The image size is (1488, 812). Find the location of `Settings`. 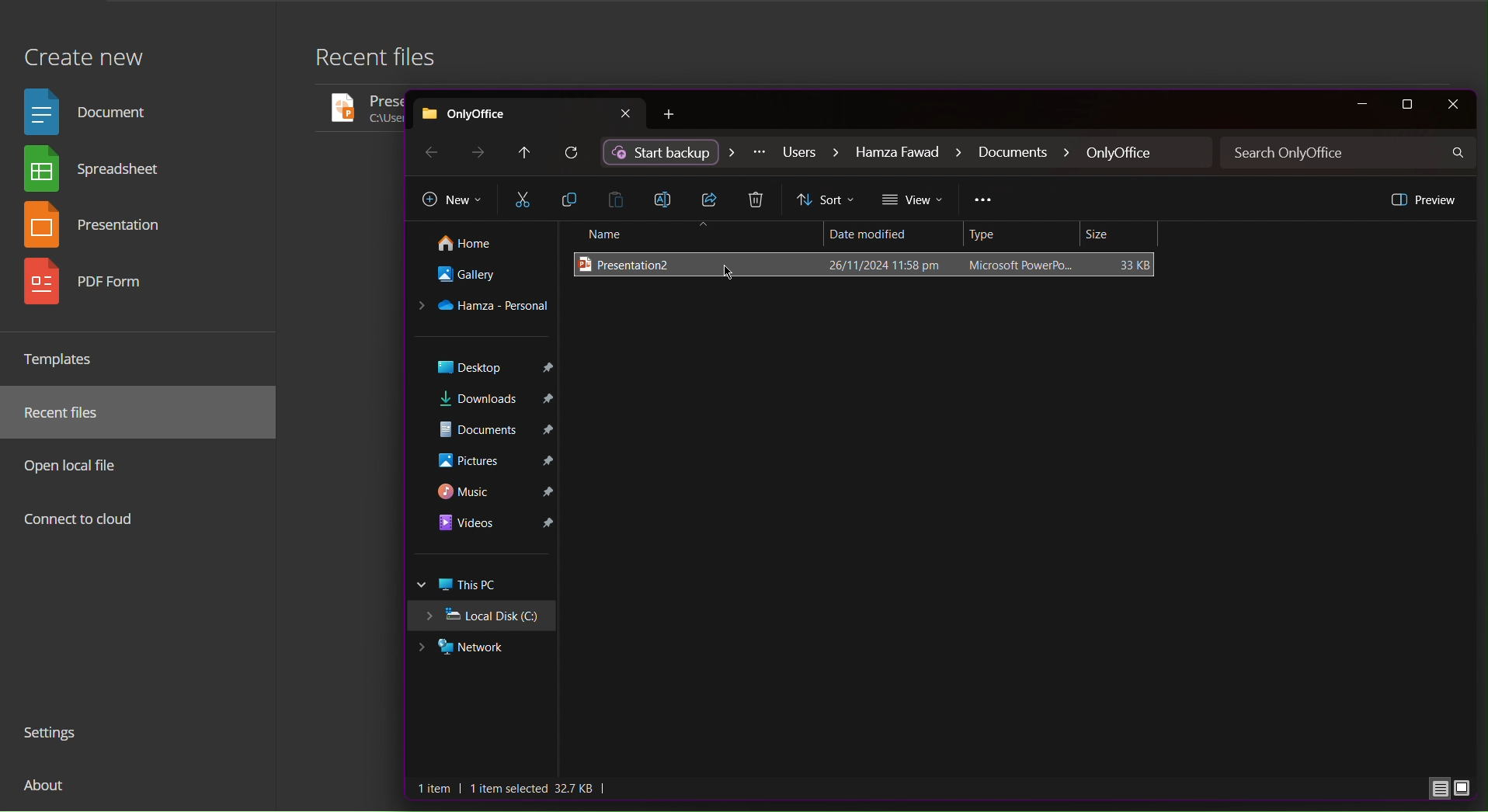

Settings is located at coordinates (57, 735).